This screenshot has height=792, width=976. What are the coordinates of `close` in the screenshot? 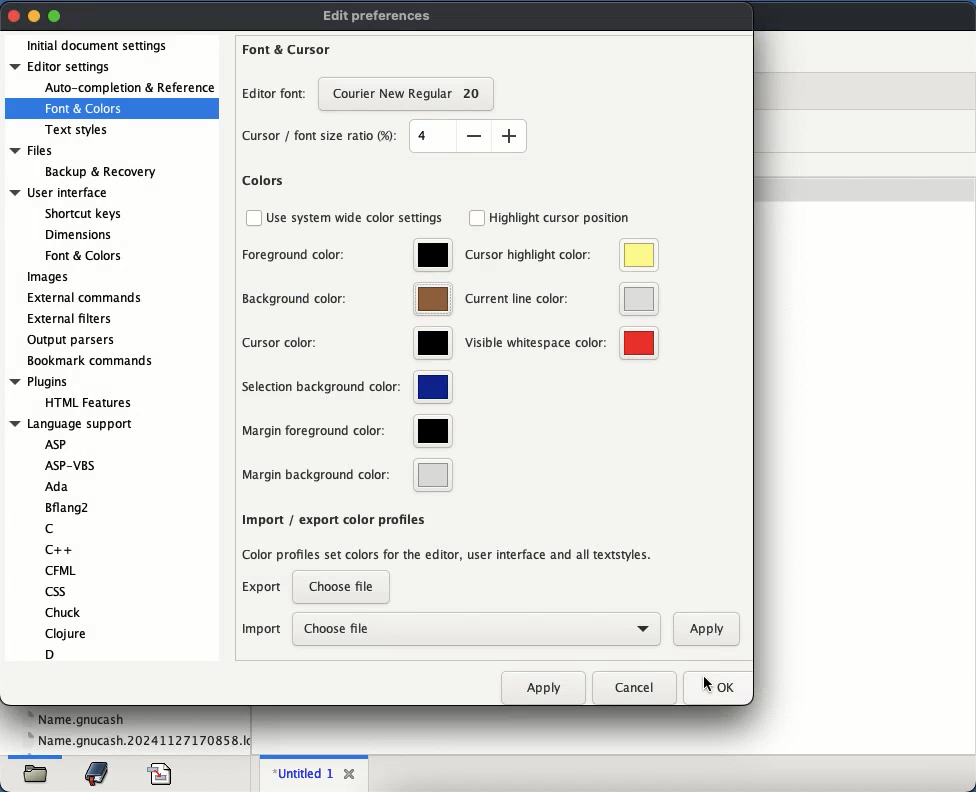 It's located at (349, 774).